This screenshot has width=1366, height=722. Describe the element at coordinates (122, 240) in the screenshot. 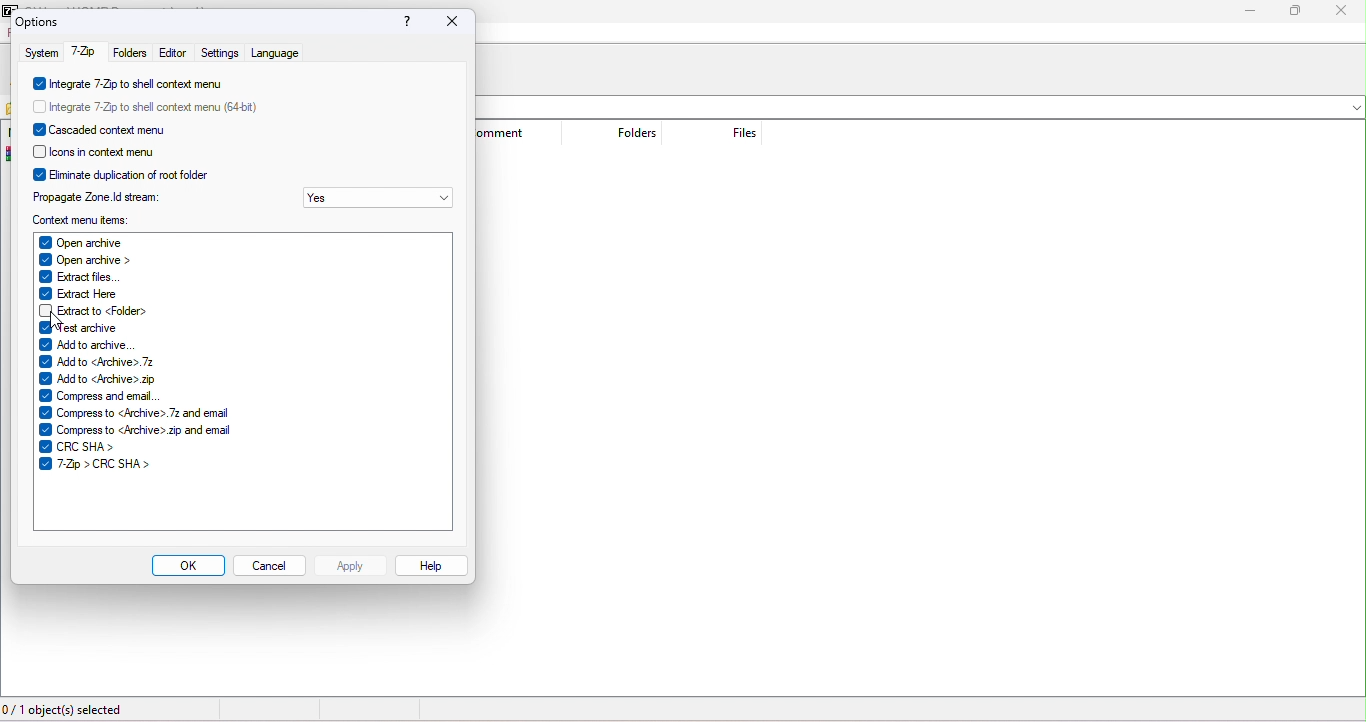

I see `open archive` at that location.